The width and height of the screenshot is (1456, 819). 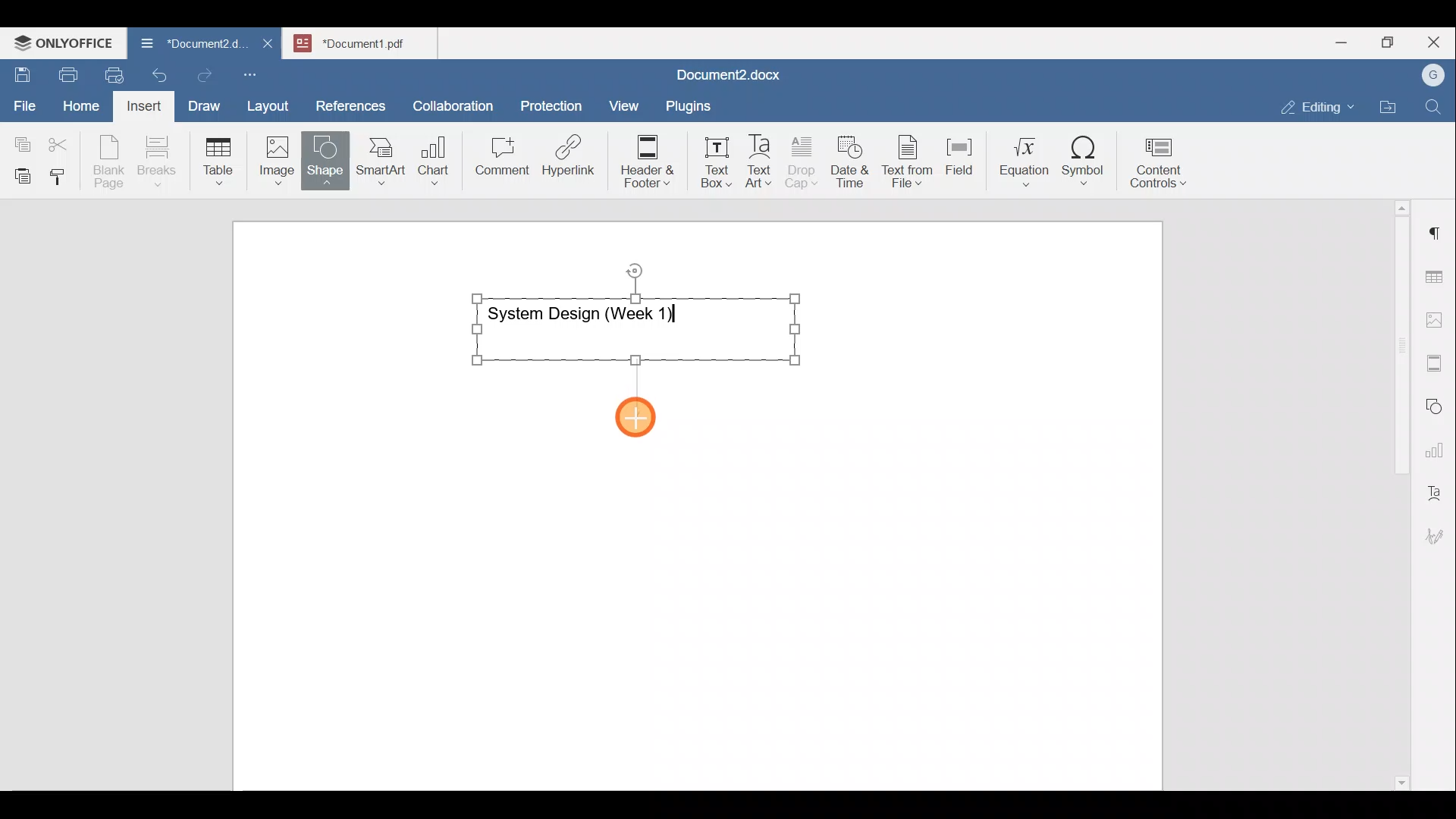 What do you see at coordinates (1435, 108) in the screenshot?
I see `Find` at bounding box center [1435, 108].